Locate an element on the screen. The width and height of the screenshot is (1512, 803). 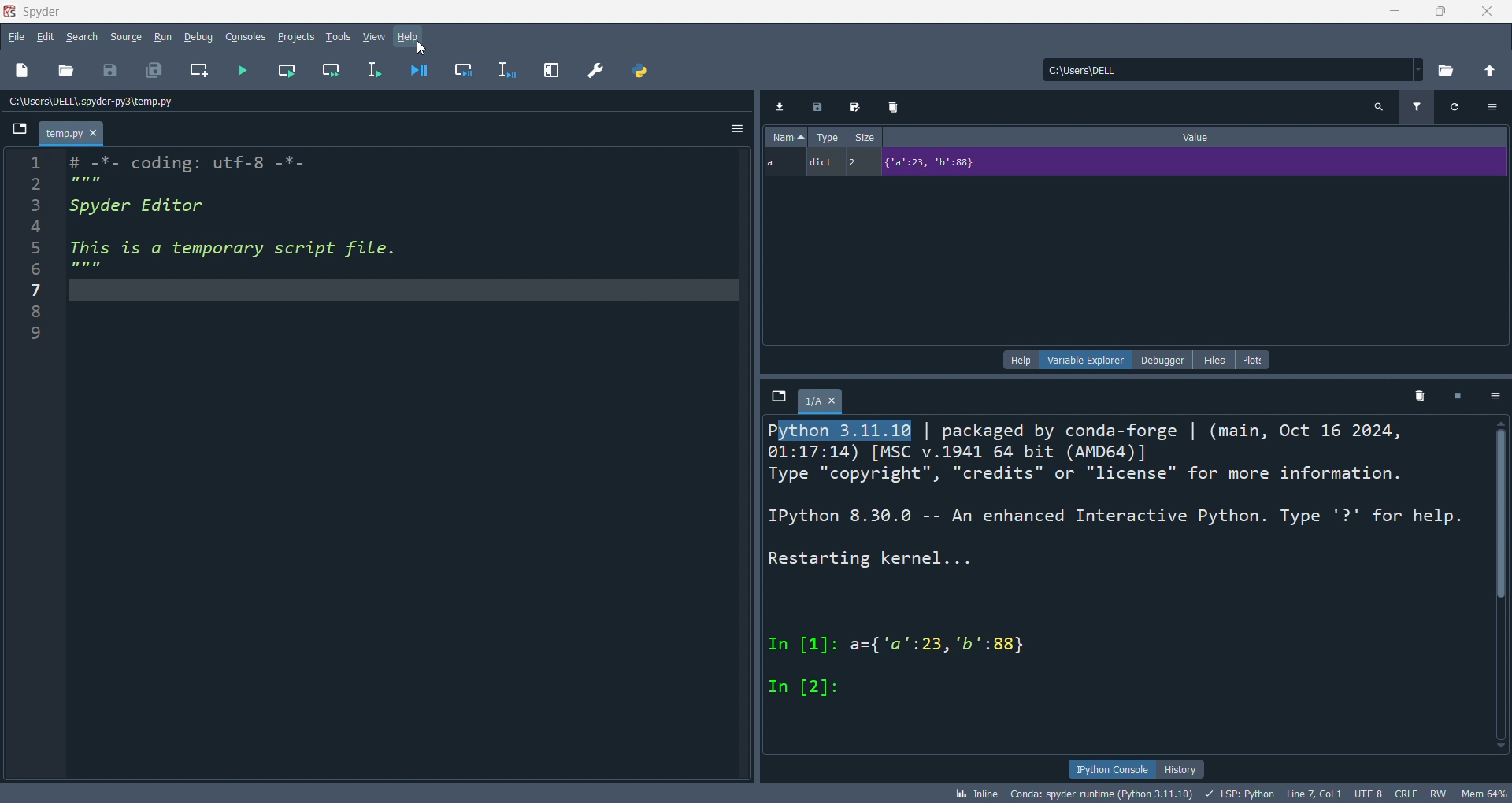
bk Inline Conda: spyder-runtime (Python 3.11.10) + LSP: Python Line7 Coll UTF-8 CRLF RW Mem 64% is located at coordinates (1230, 793).